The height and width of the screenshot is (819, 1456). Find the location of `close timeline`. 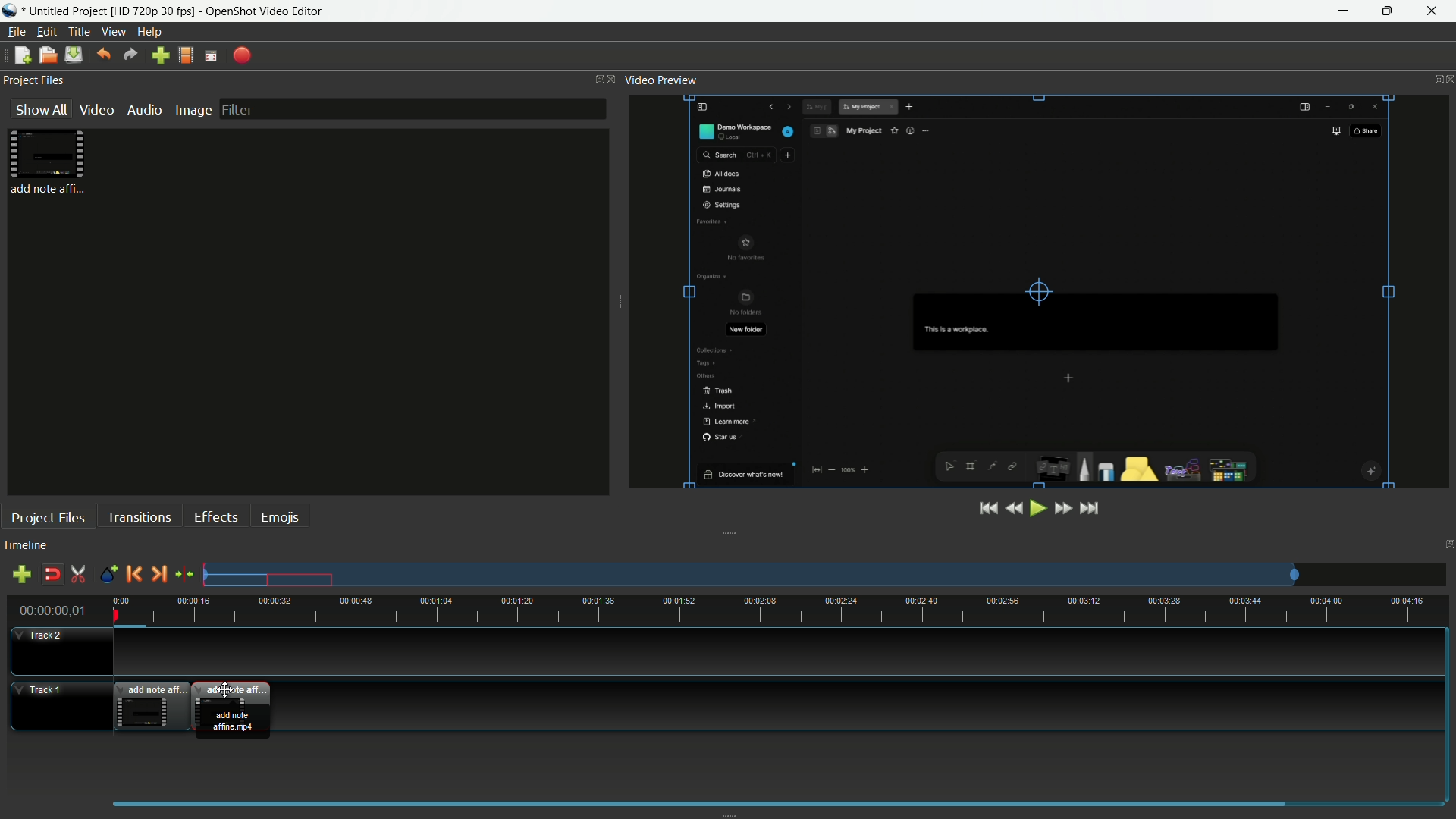

close timeline is located at coordinates (1448, 543).